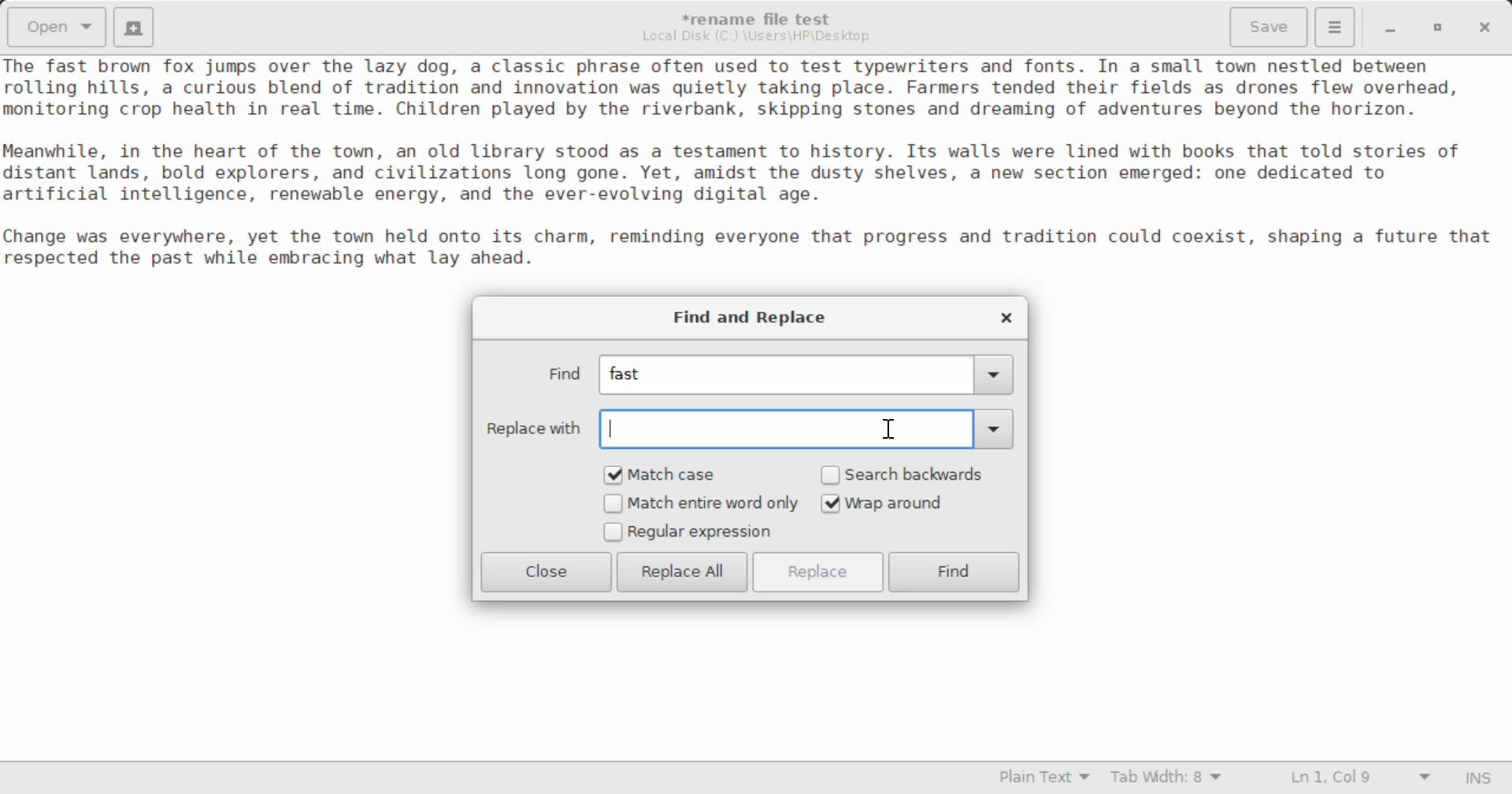 The height and width of the screenshot is (794, 1512). Describe the element at coordinates (1271, 25) in the screenshot. I see `Save File` at that location.